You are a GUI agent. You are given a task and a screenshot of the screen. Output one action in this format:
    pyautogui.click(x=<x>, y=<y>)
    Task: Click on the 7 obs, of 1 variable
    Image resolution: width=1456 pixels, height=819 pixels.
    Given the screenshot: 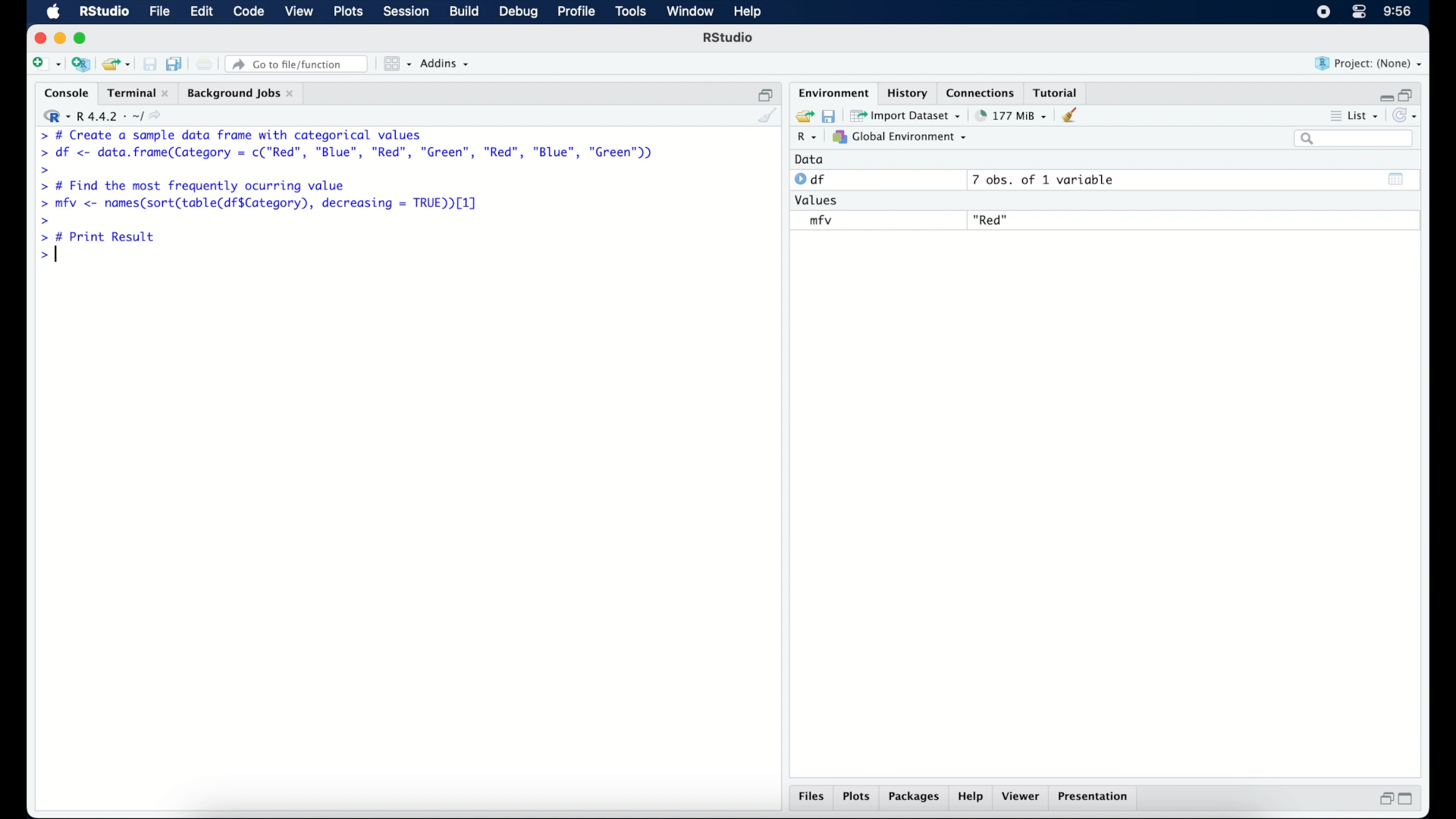 What is the action you would take?
    pyautogui.click(x=1043, y=180)
    